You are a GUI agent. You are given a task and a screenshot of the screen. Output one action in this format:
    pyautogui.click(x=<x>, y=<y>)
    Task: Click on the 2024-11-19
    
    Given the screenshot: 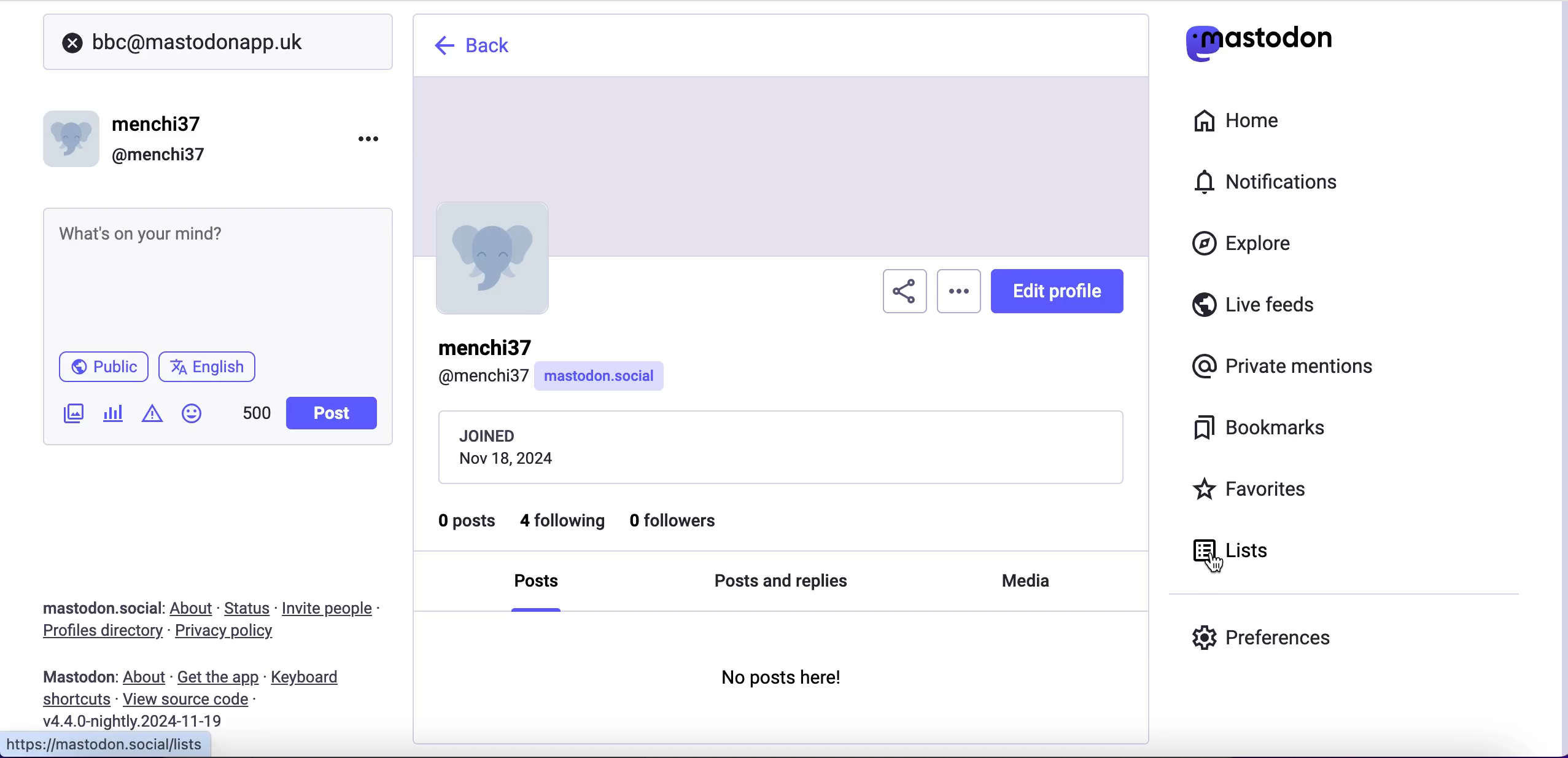 What is the action you would take?
    pyautogui.click(x=142, y=721)
    